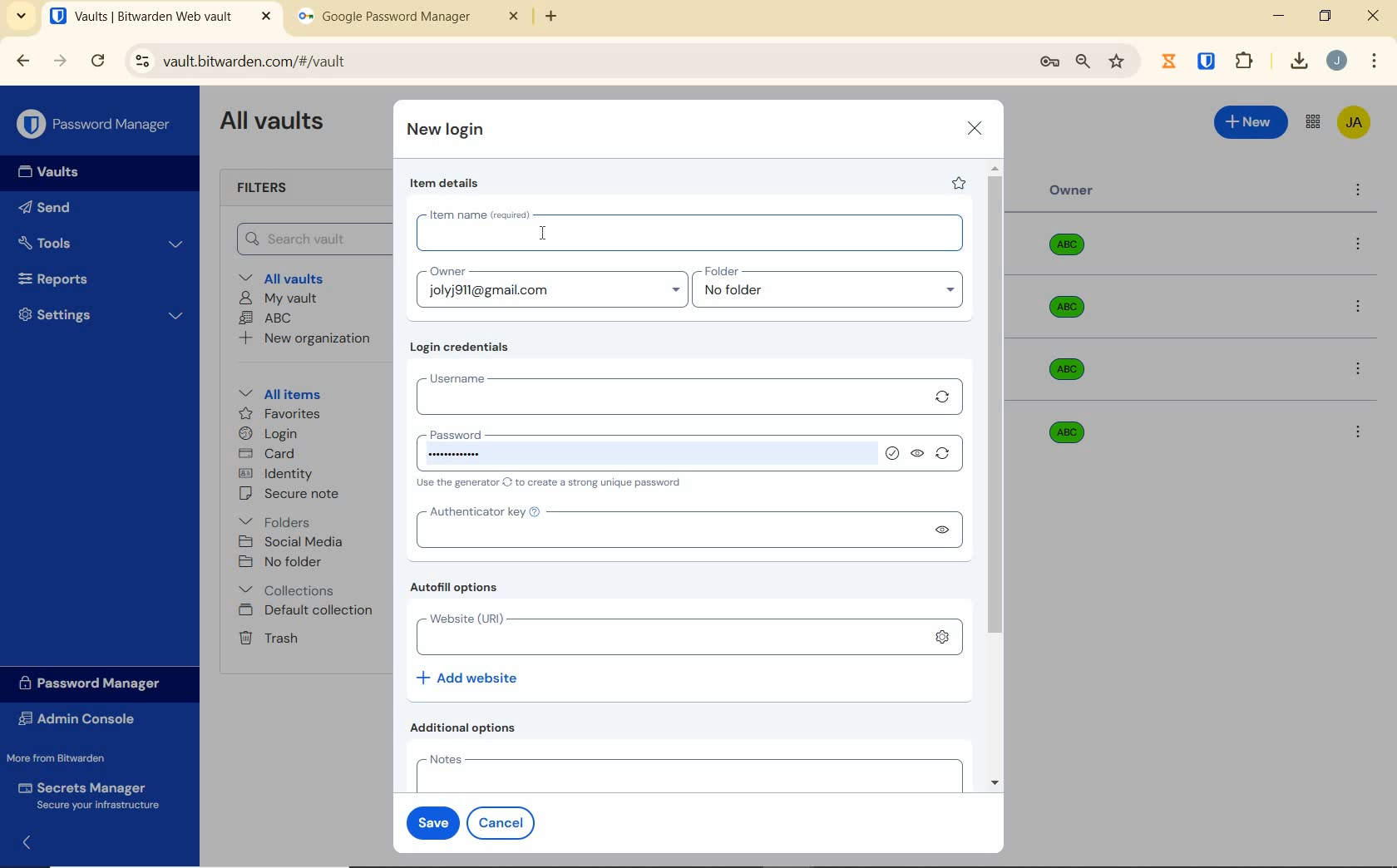 The image size is (1397, 868). What do you see at coordinates (303, 338) in the screenshot?
I see `New organization` at bounding box center [303, 338].